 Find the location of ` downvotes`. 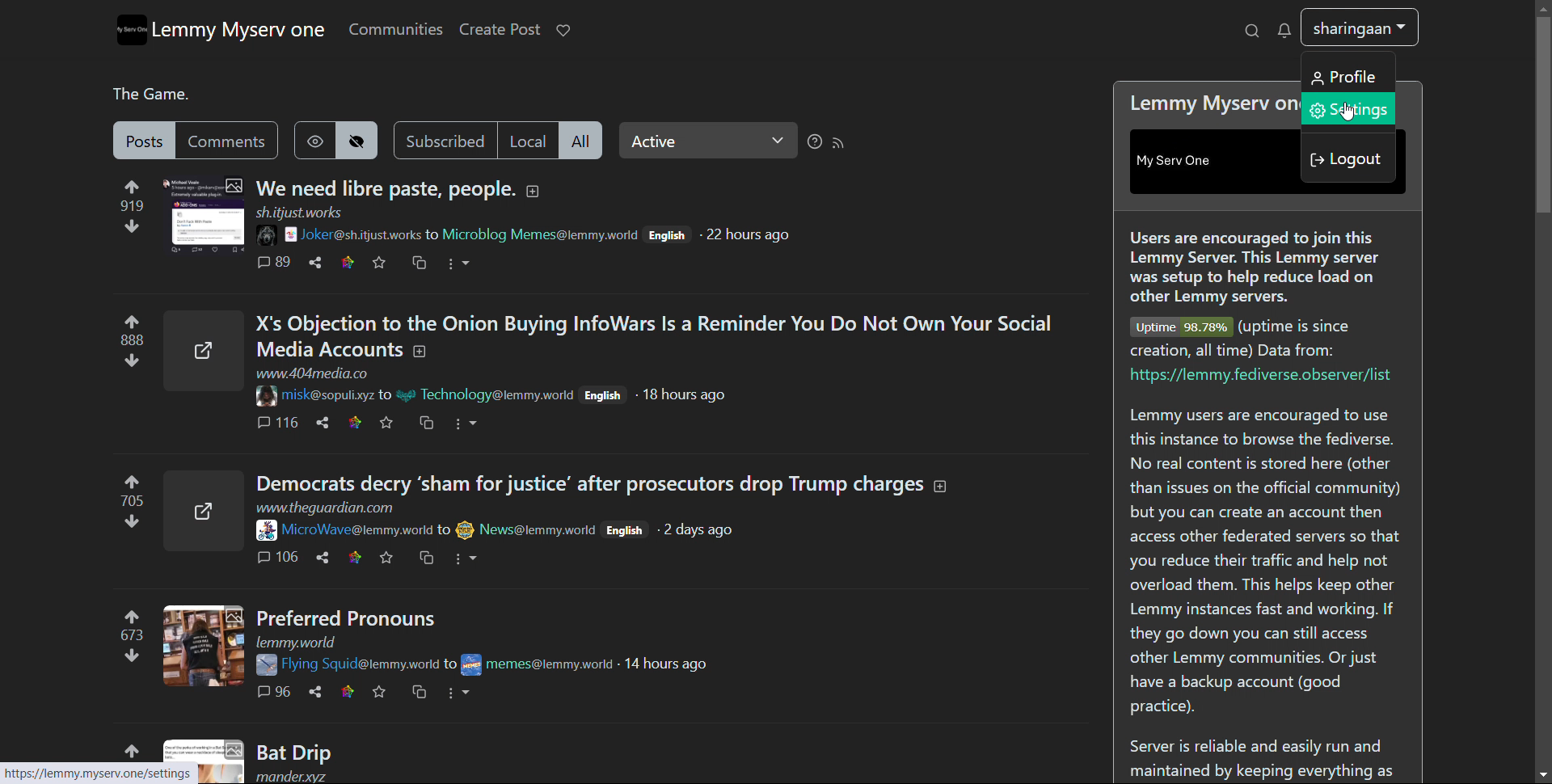

 downvotes is located at coordinates (133, 229).